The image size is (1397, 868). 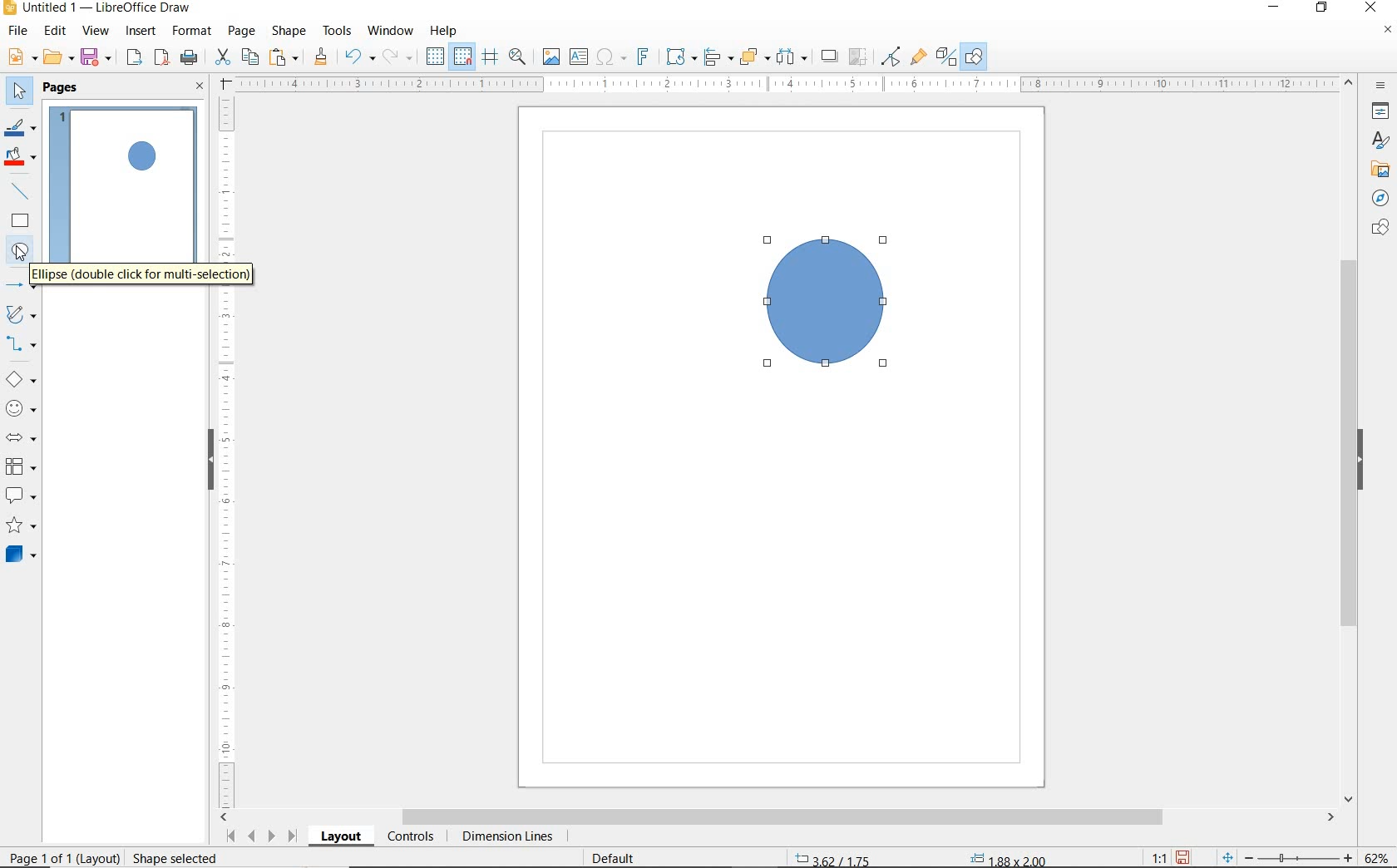 I want to click on CURVES AND POLYGONS, so click(x=20, y=316).